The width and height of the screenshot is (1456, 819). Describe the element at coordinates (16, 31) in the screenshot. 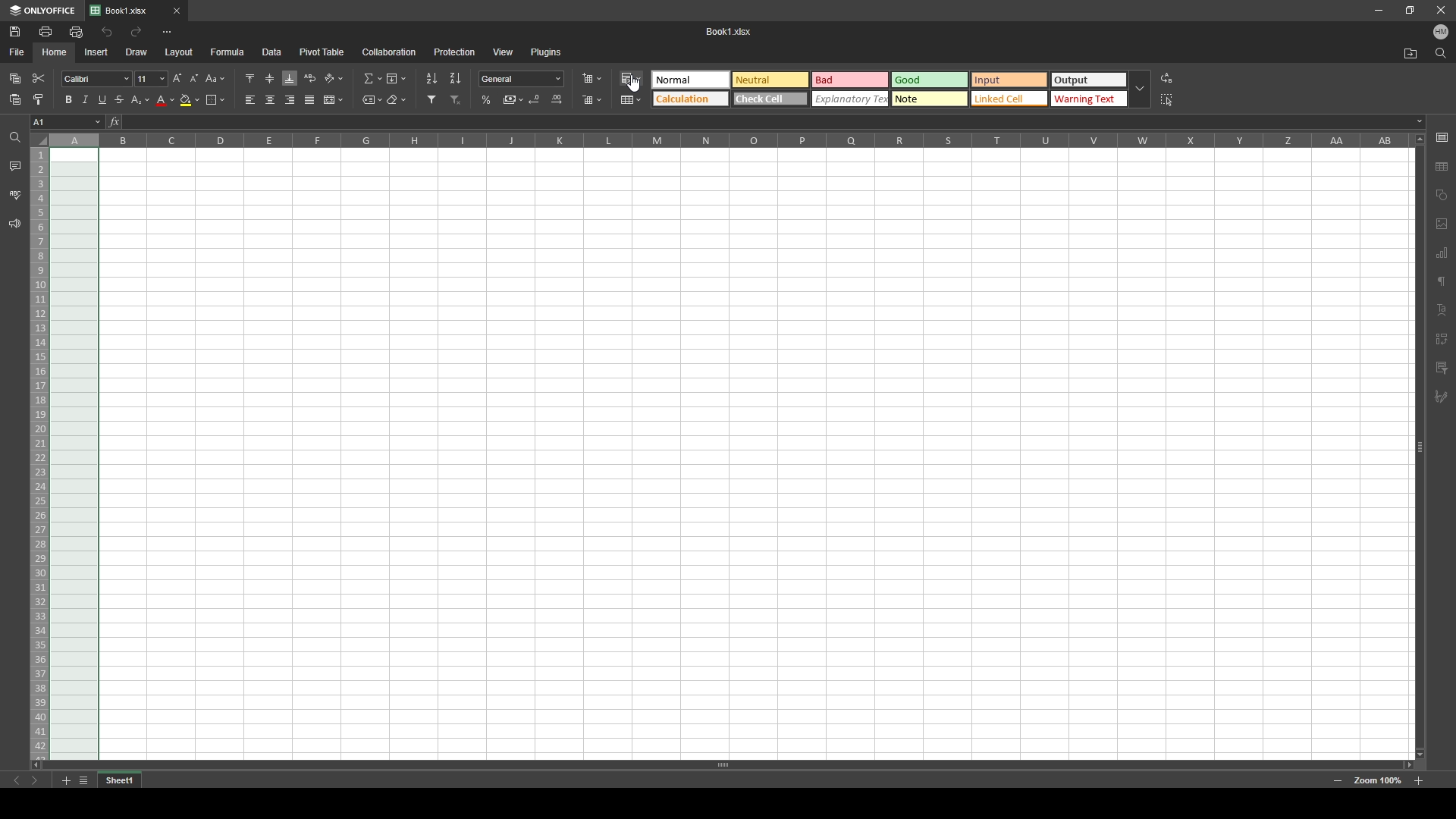

I see `save` at that location.